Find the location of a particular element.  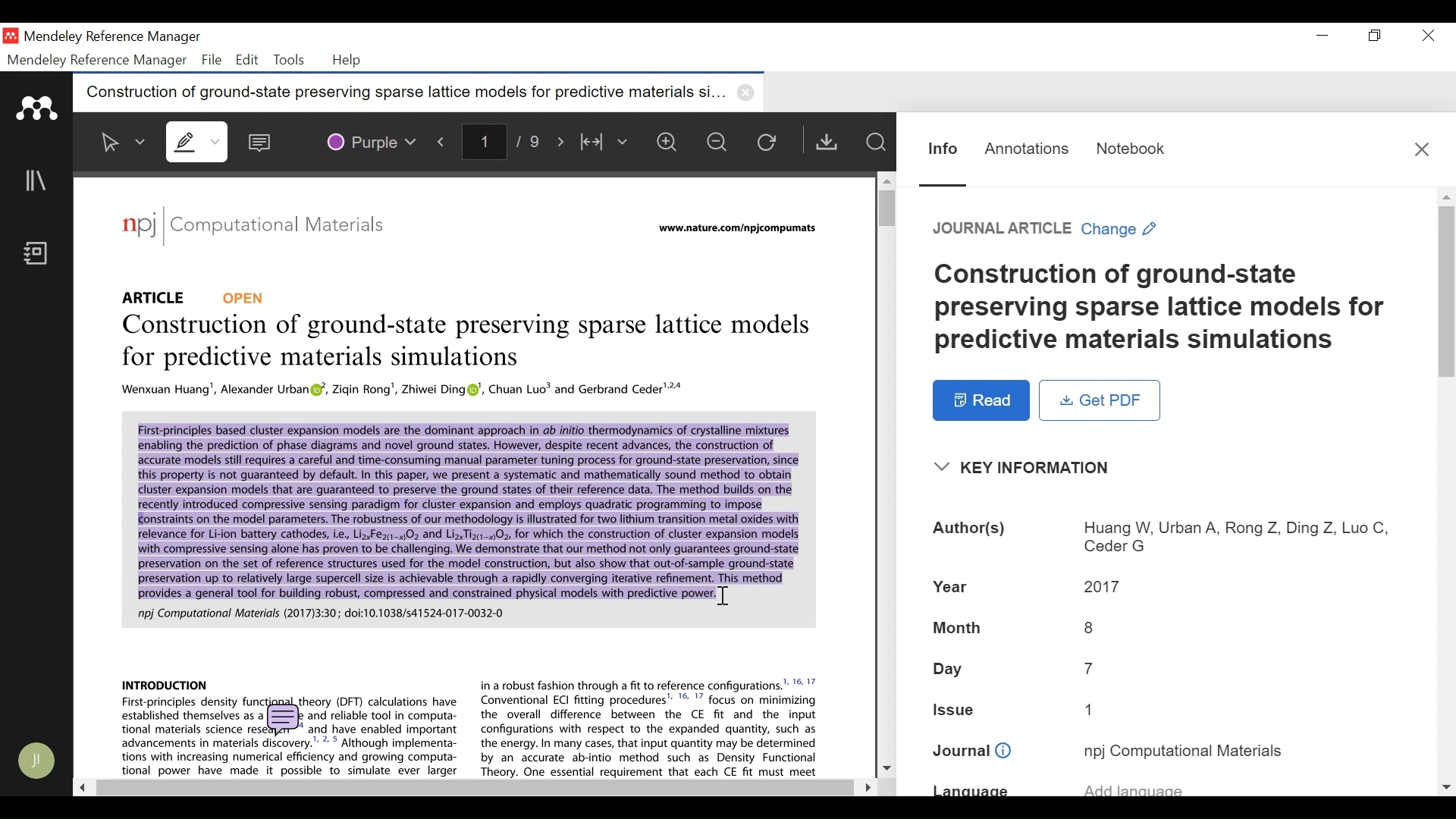

Fit to Width is located at coordinates (606, 143).